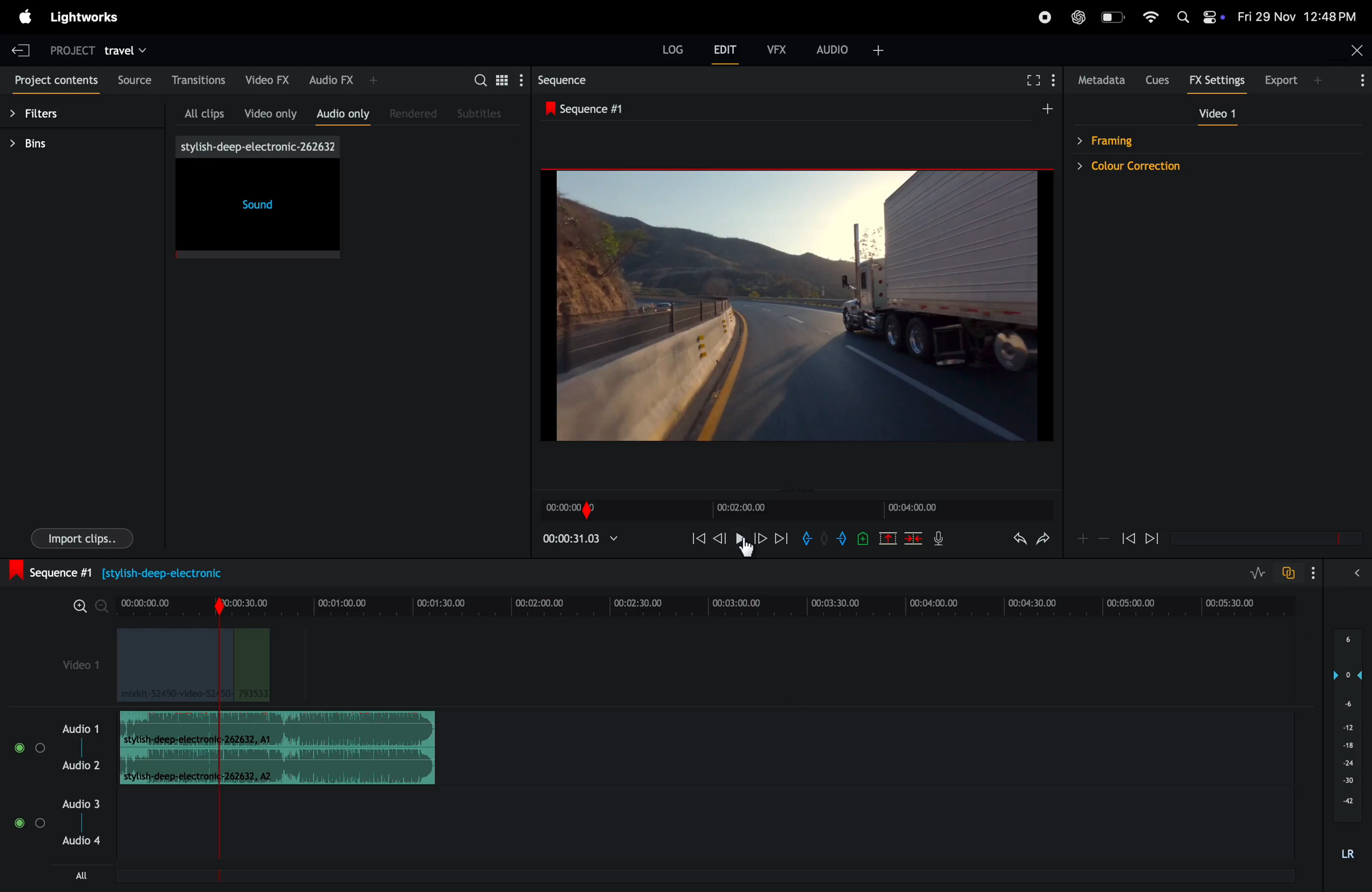 The width and height of the screenshot is (1372, 892). I want to click on video 1, so click(78, 668).